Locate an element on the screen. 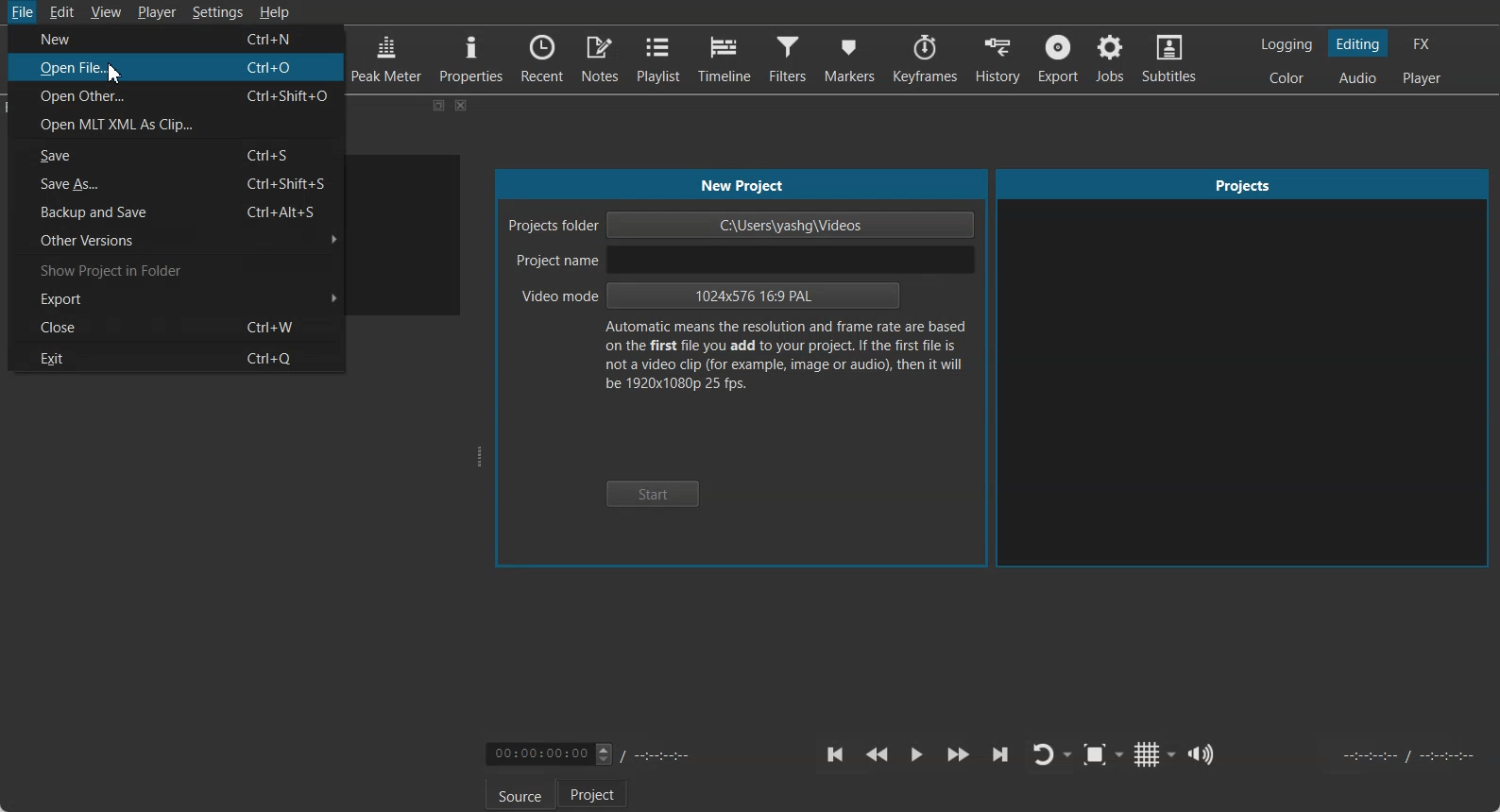 The width and height of the screenshot is (1500, 812). Close is located at coordinates (176, 328).